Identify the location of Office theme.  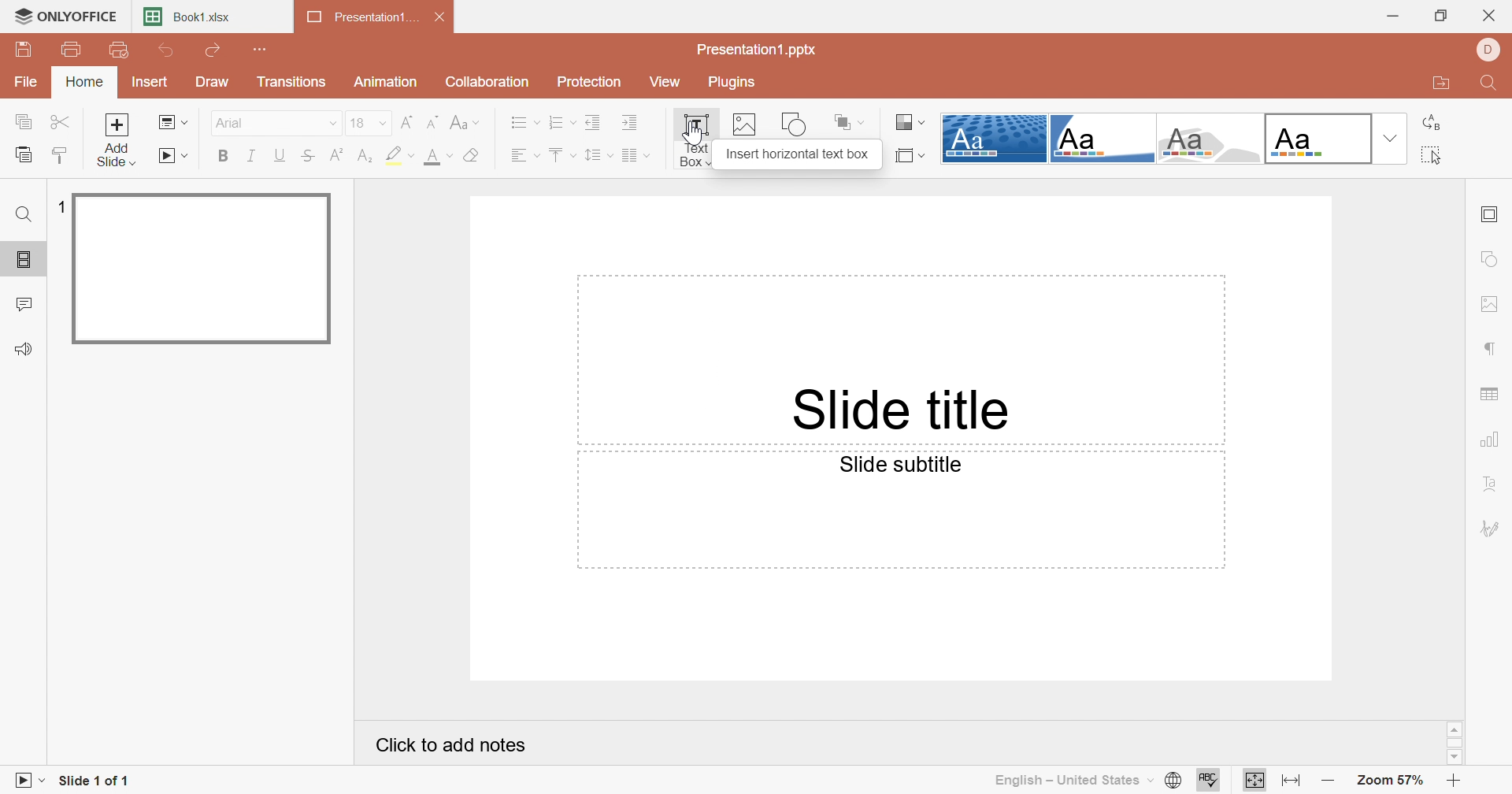
(1314, 138).